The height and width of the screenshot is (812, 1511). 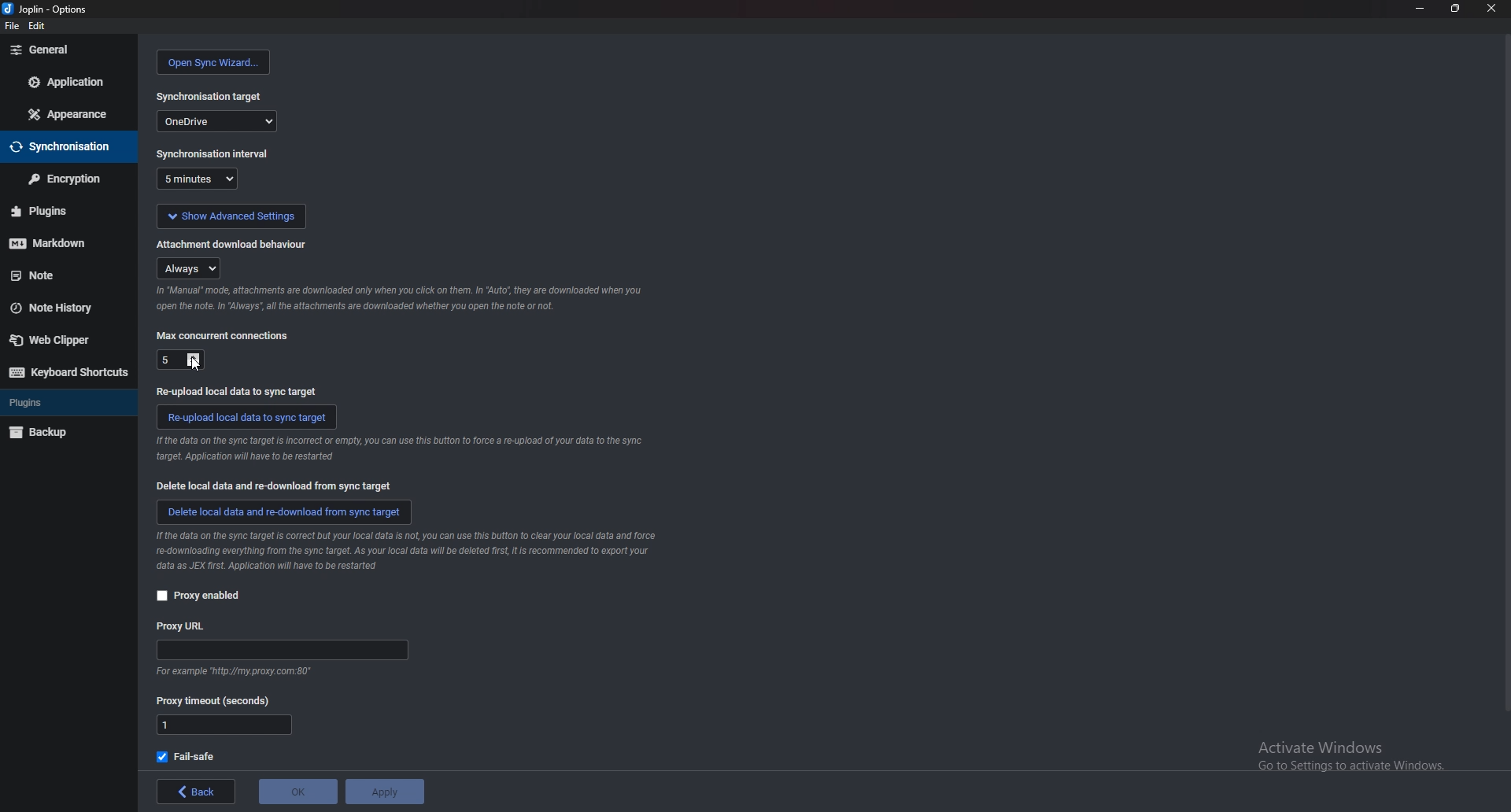 I want to click on attachment download behaviour, so click(x=239, y=245).